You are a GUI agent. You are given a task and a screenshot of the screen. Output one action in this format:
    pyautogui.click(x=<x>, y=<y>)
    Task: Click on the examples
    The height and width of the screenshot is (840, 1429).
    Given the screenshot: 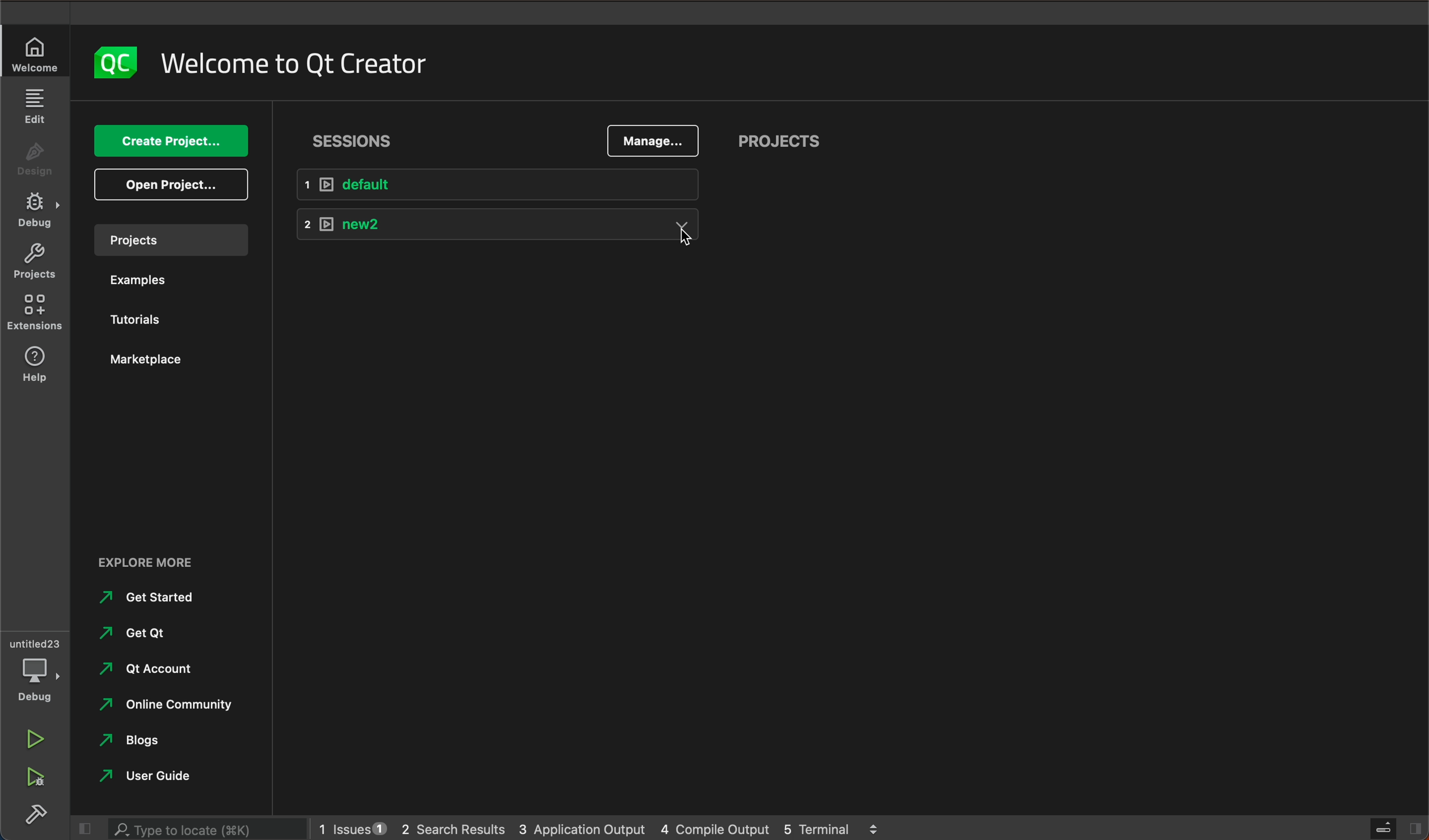 What is the action you would take?
    pyautogui.click(x=130, y=281)
    